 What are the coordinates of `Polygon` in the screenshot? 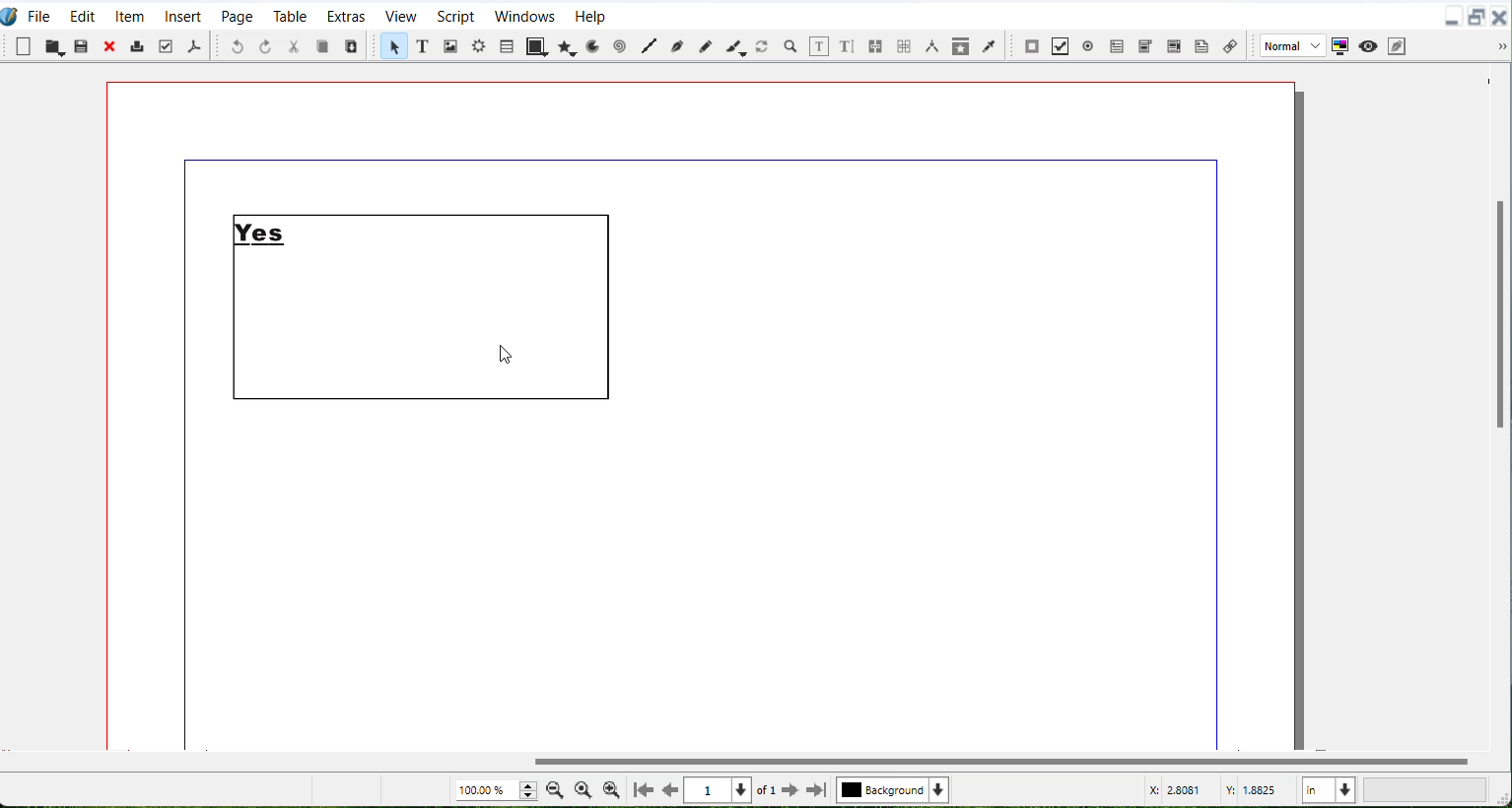 It's located at (566, 46).